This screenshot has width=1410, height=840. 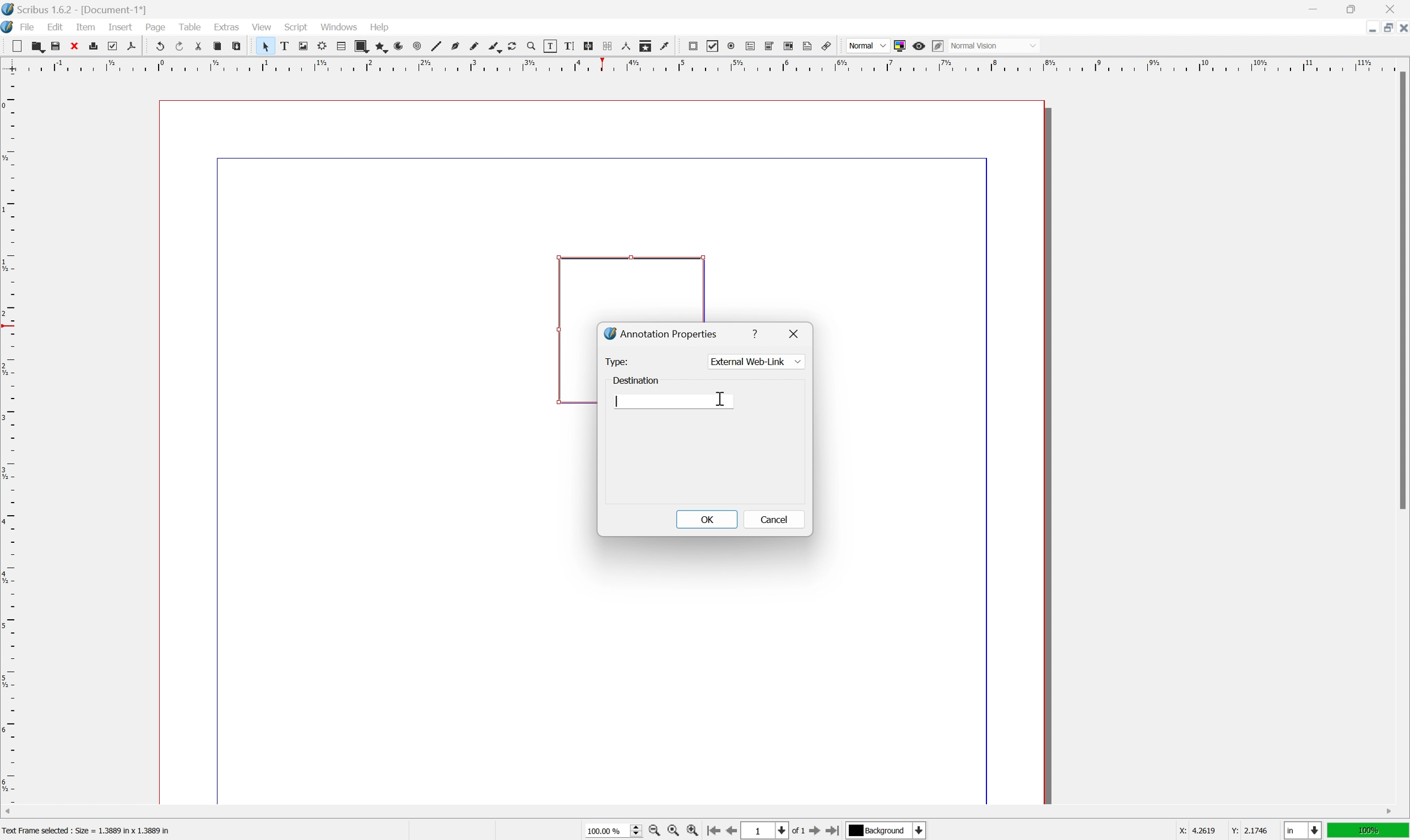 I want to click on zoom in, so click(x=692, y=830).